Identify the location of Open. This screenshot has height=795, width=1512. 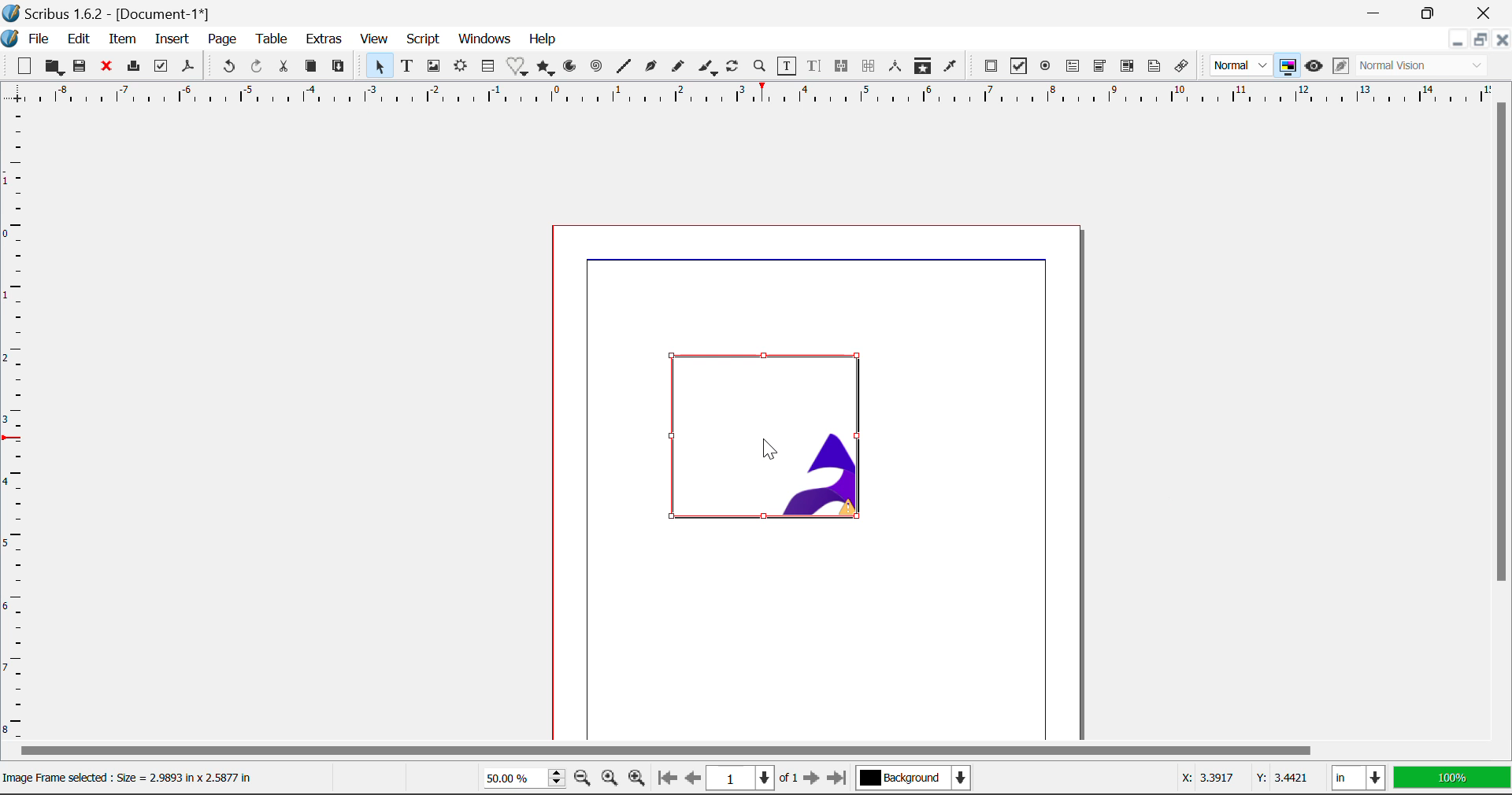
(54, 68).